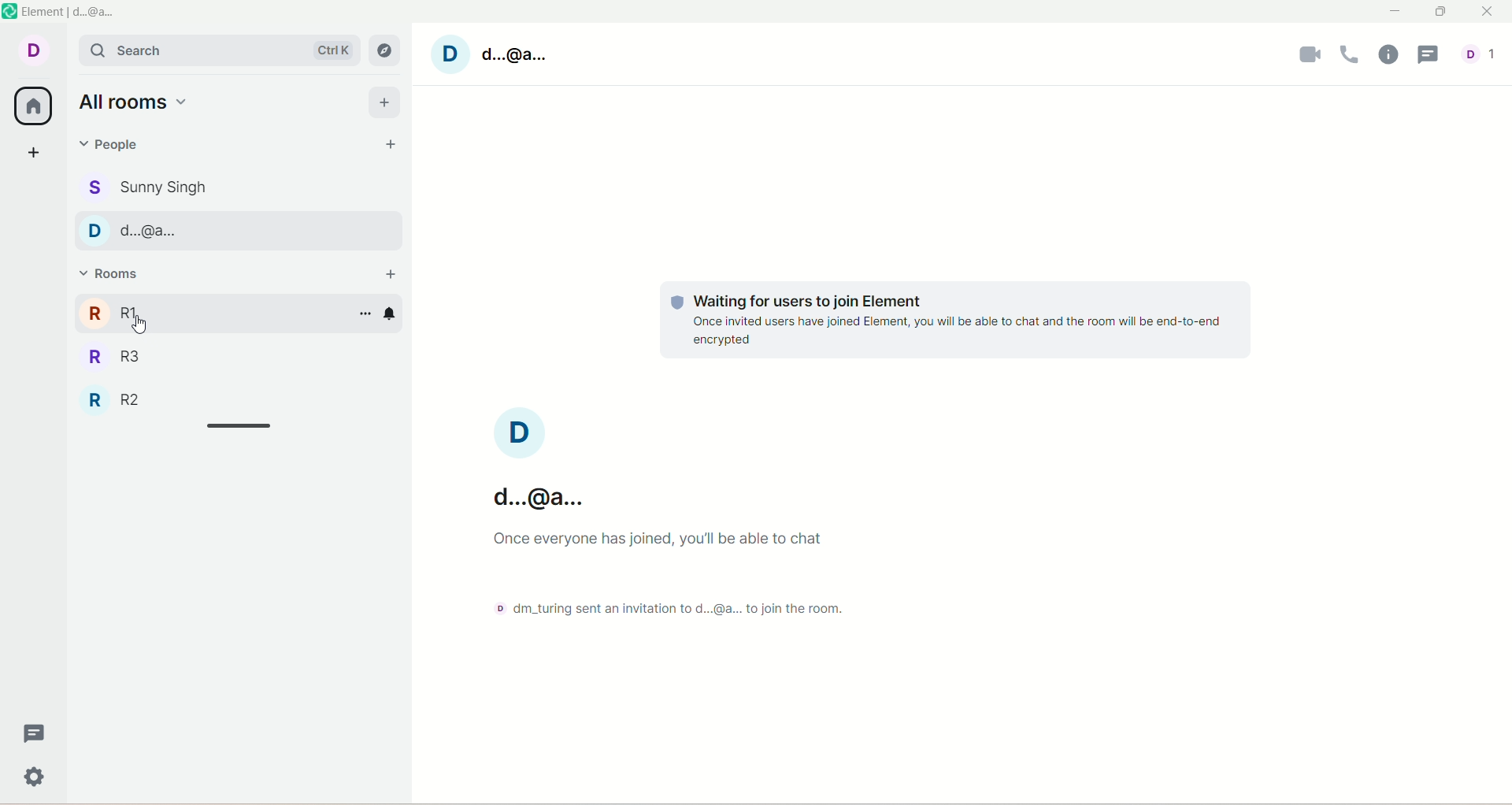 Image resolution: width=1512 pixels, height=805 pixels. What do you see at coordinates (390, 313) in the screenshot?
I see `notification` at bounding box center [390, 313].